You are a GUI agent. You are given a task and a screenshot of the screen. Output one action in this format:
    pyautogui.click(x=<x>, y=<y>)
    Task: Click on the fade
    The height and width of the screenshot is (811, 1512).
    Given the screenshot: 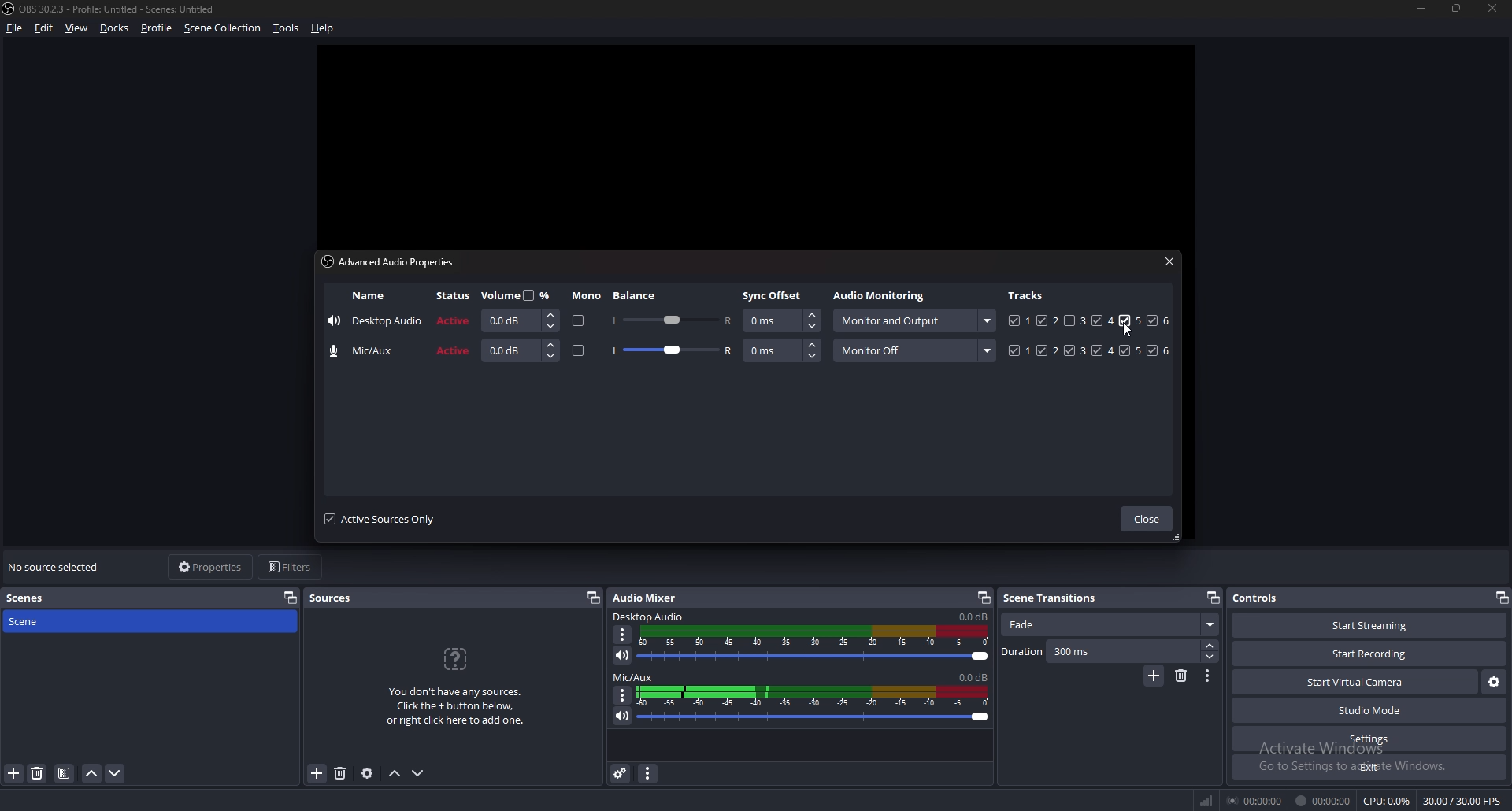 What is the action you would take?
    pyautogui.click(x=1109, y=625)
    